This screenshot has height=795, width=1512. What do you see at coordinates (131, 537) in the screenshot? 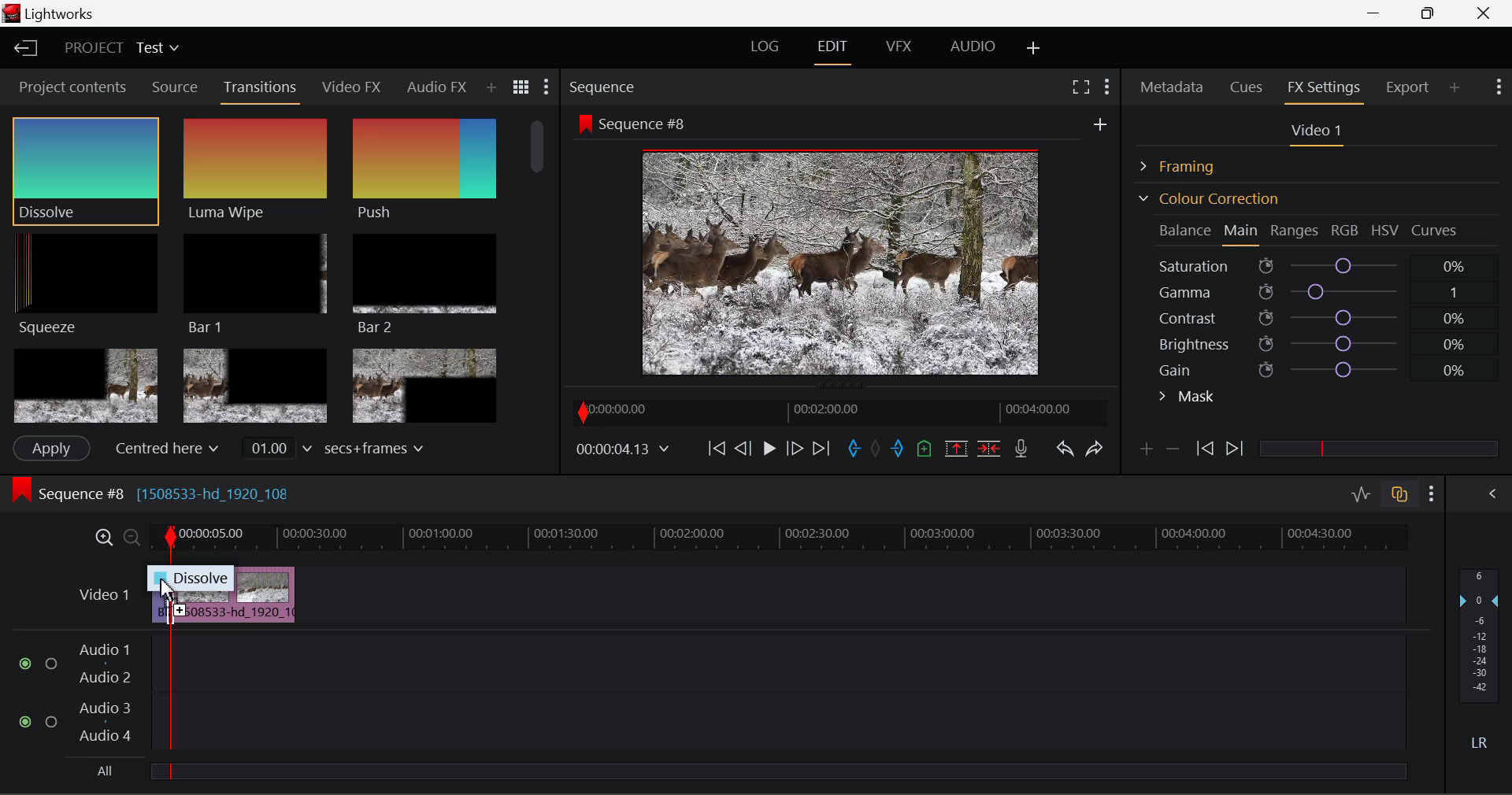
I see `Timeline Zoom Out` at bounding box center [131, 537].